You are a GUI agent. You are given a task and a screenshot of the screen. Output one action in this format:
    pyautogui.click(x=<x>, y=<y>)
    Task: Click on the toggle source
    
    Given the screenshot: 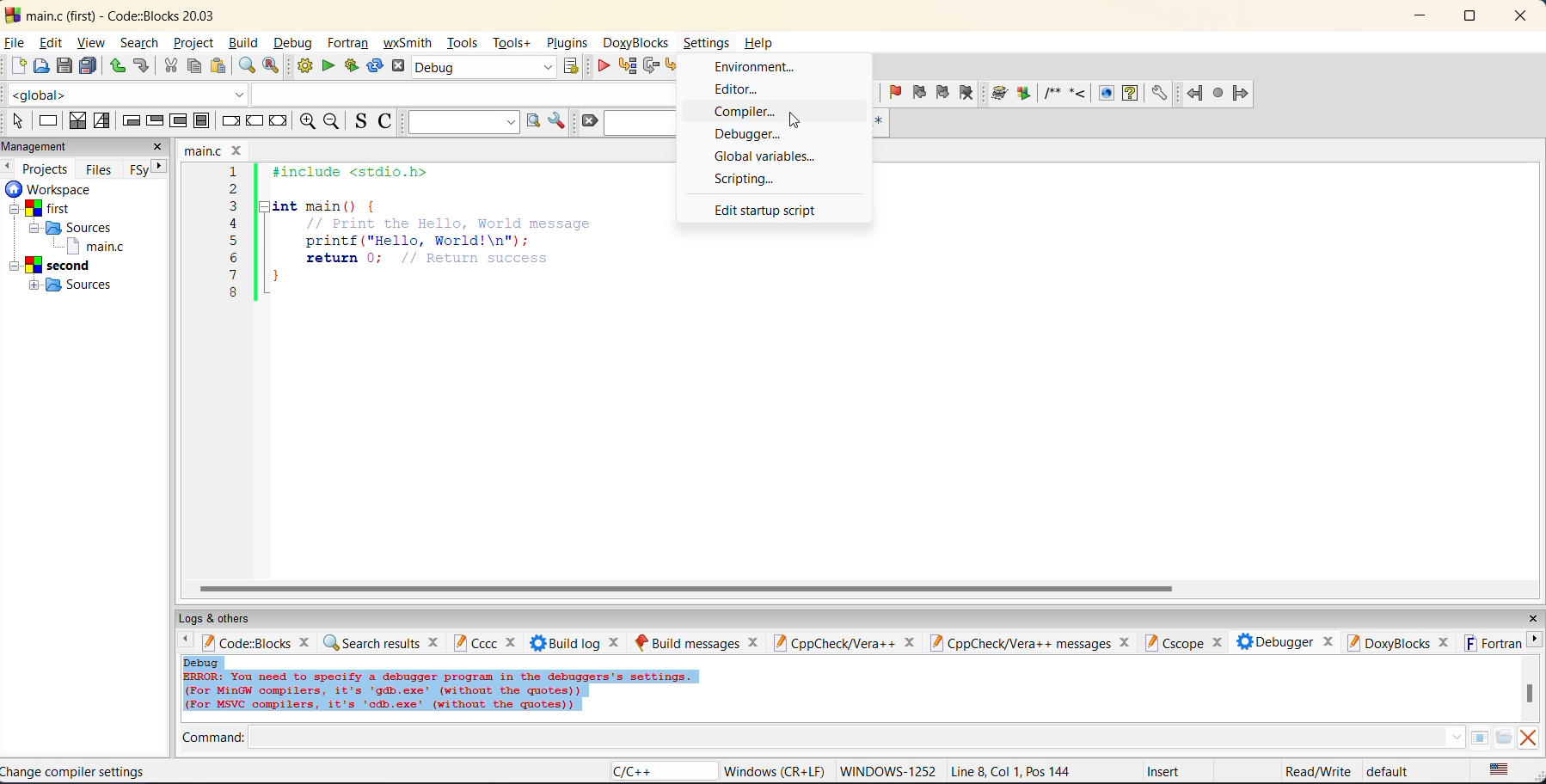 What is the action you would take?
    pyautogui.click(x=359, y=123)
    